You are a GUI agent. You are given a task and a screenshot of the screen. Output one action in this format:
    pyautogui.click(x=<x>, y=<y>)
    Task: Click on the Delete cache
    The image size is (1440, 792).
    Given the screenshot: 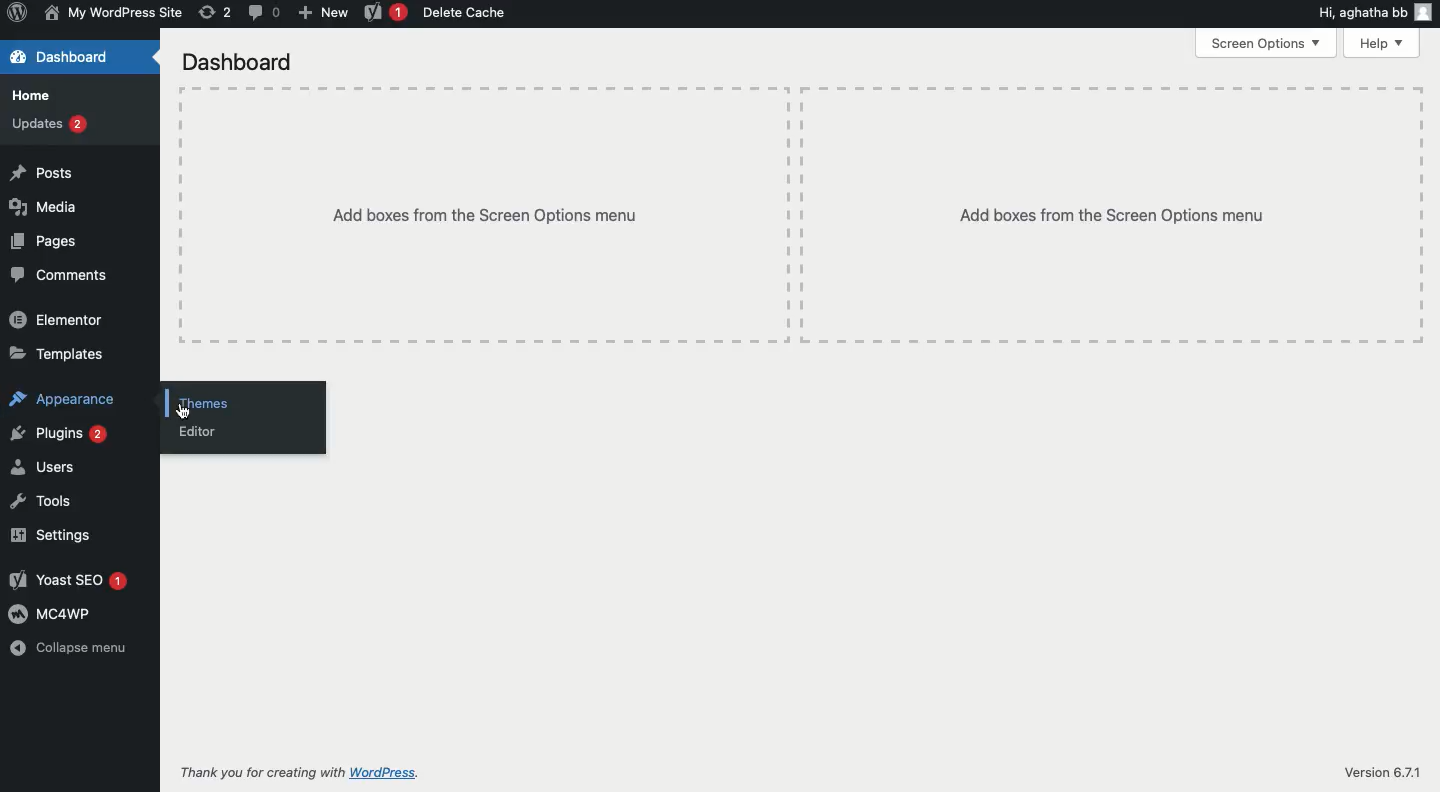 What is the action you would take?
    pyautogui.click(x=470, y=12)
    